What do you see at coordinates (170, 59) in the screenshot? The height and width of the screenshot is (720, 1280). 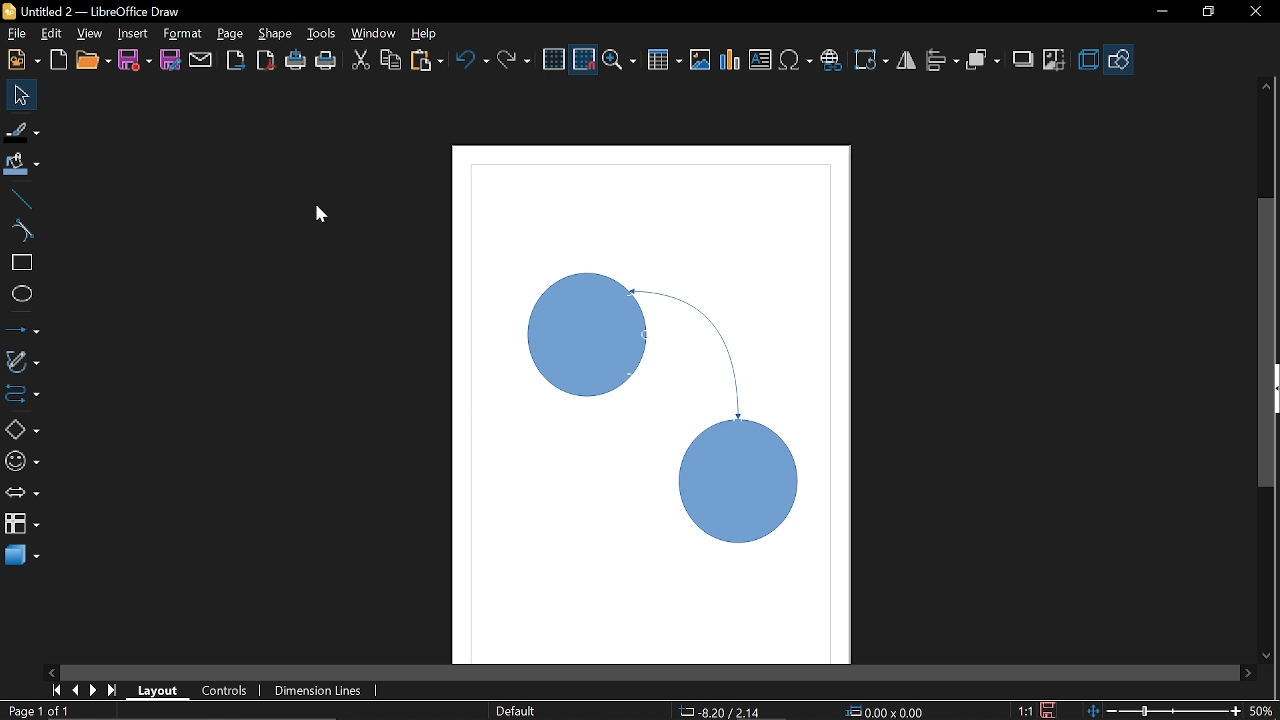 I see `Save as` at bounding box center [170, 59].